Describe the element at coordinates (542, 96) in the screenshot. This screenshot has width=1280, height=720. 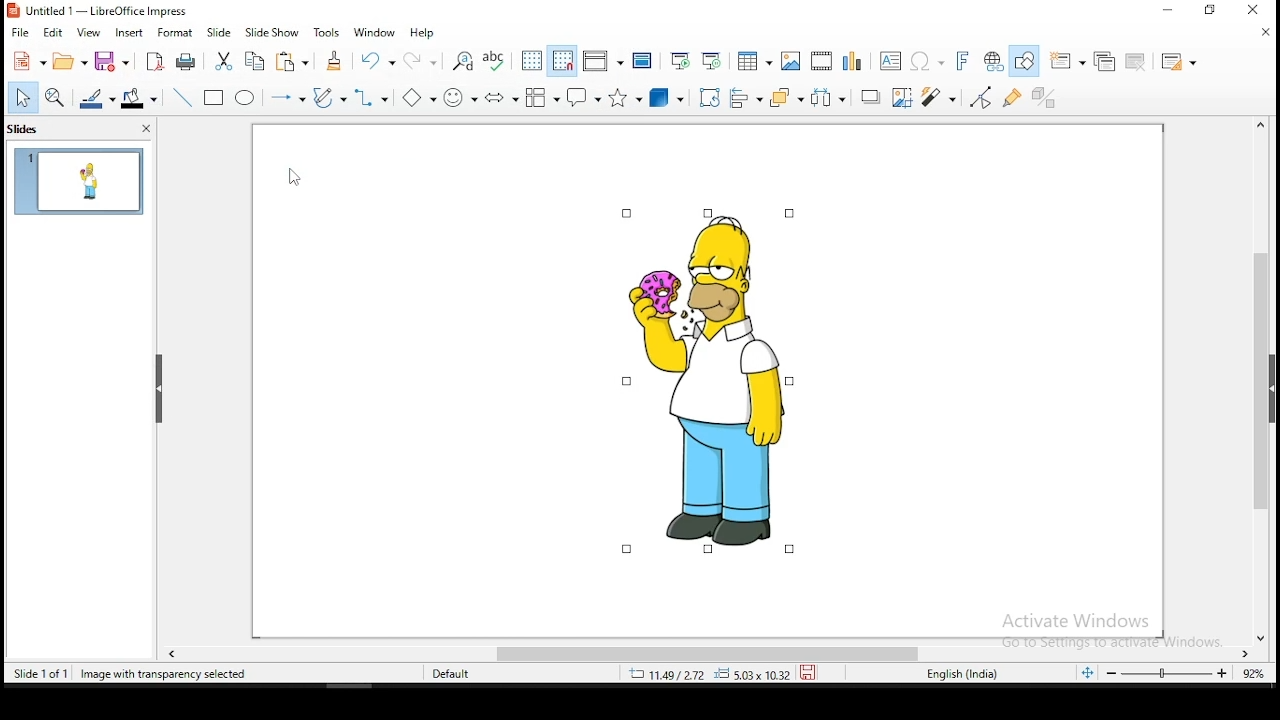
I see `flowchart` at that location.